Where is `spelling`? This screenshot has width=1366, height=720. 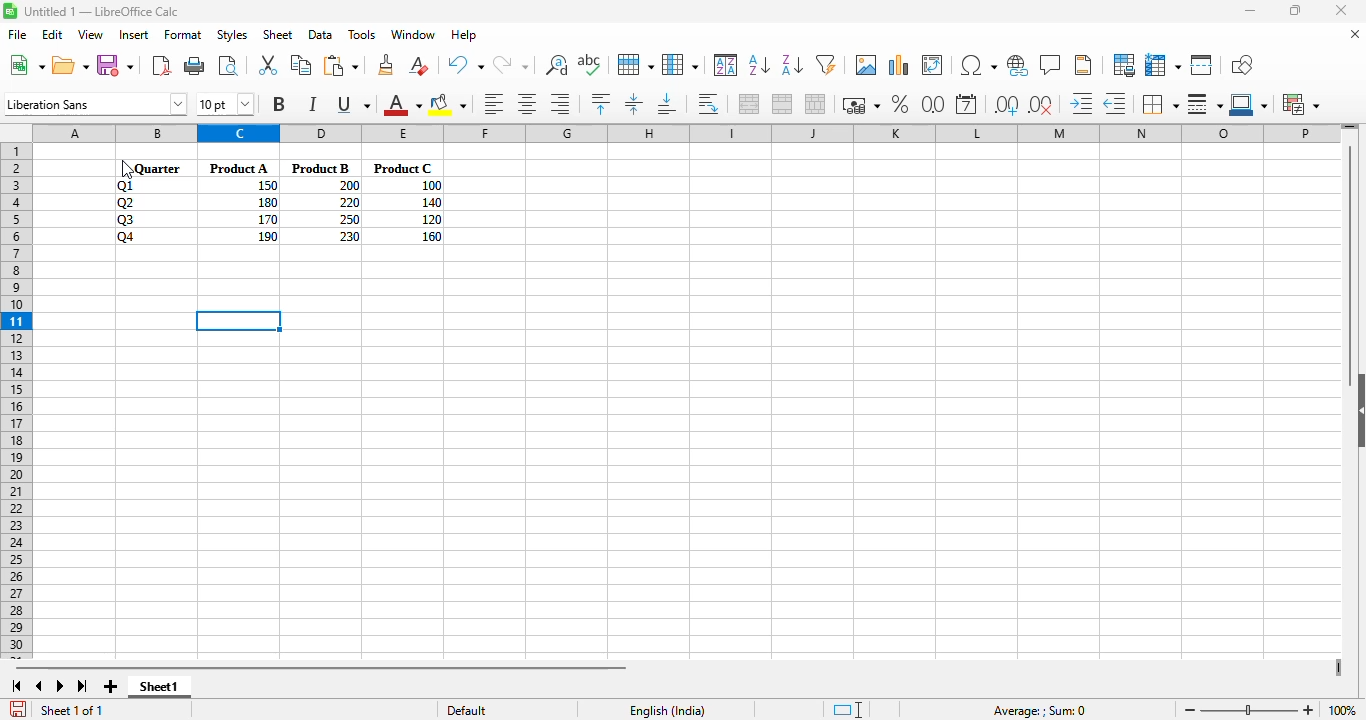 spelling is located at coordinates (590, 65).